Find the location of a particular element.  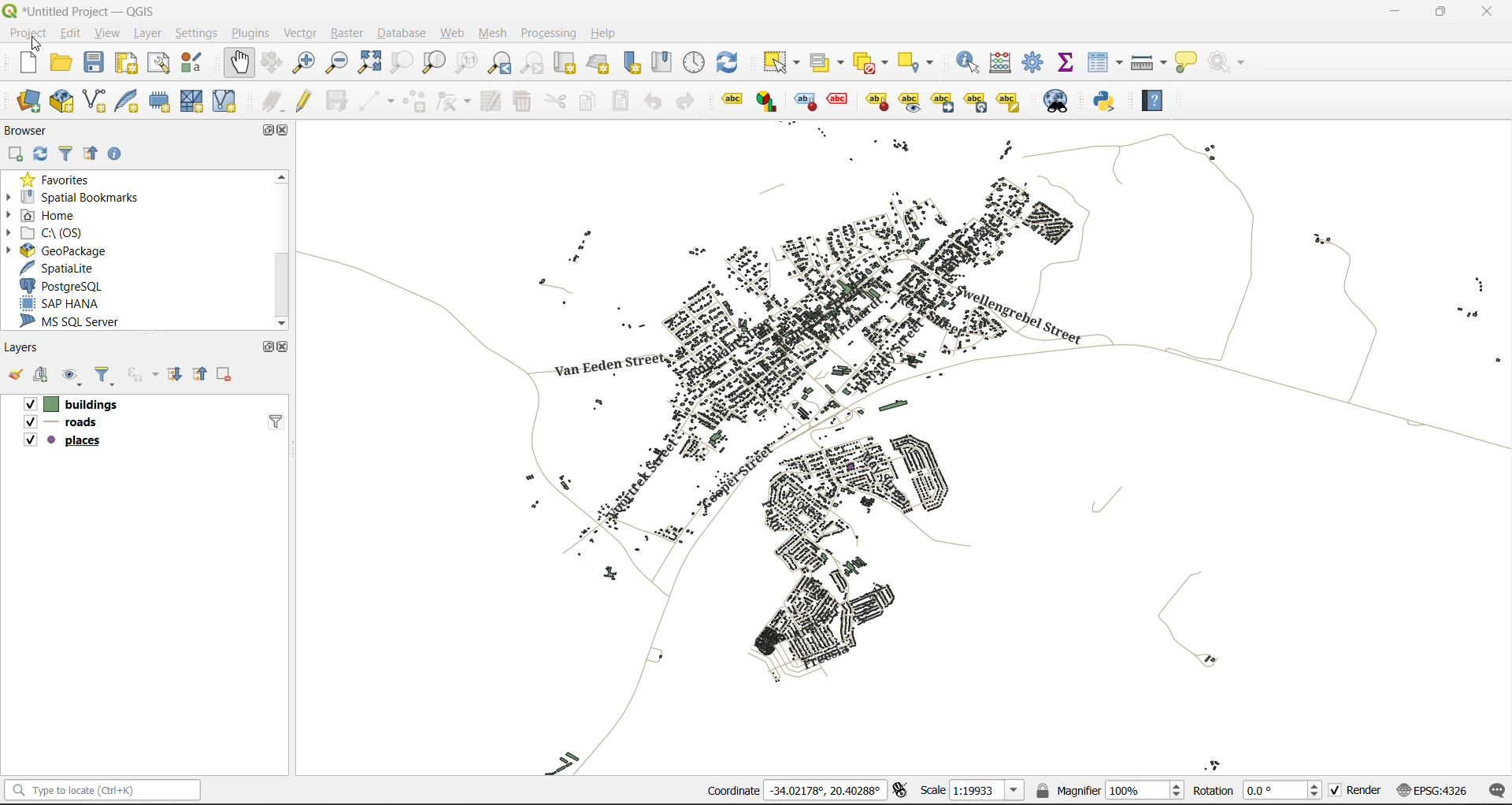

Rotate a label is located at coordinates (976, 100).